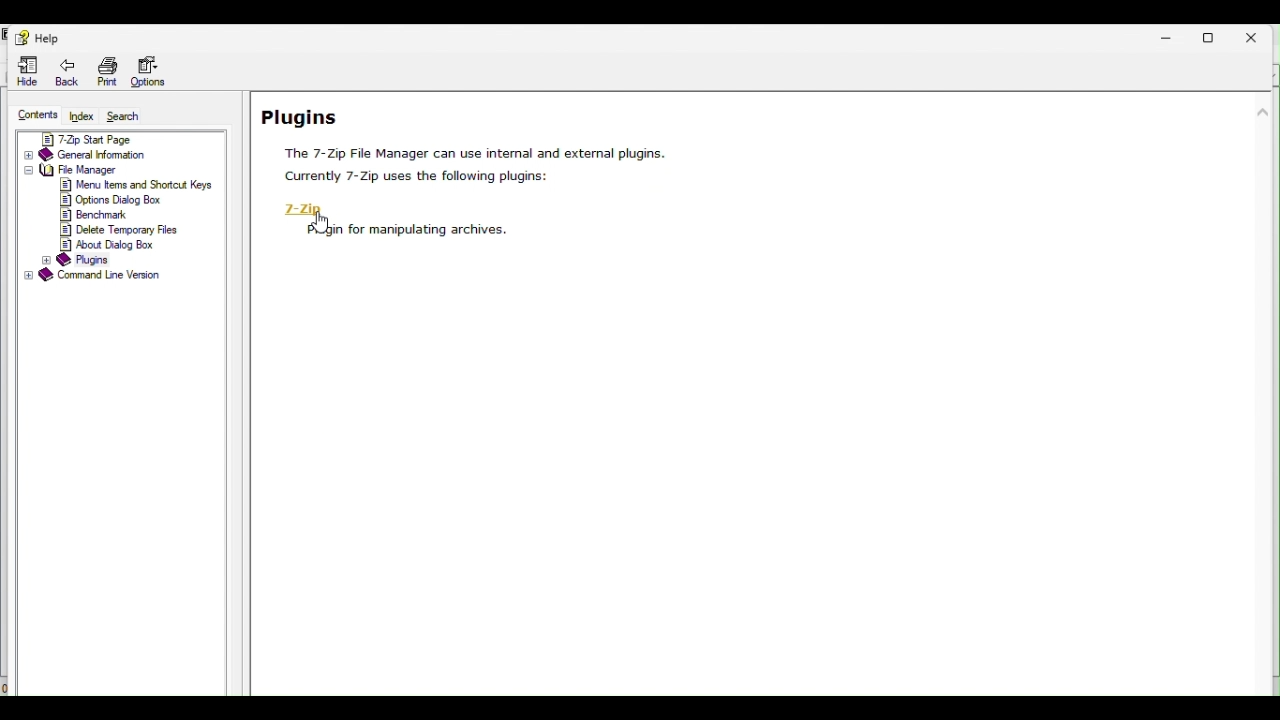  I want to click on Minimize, so click(1169, 37).